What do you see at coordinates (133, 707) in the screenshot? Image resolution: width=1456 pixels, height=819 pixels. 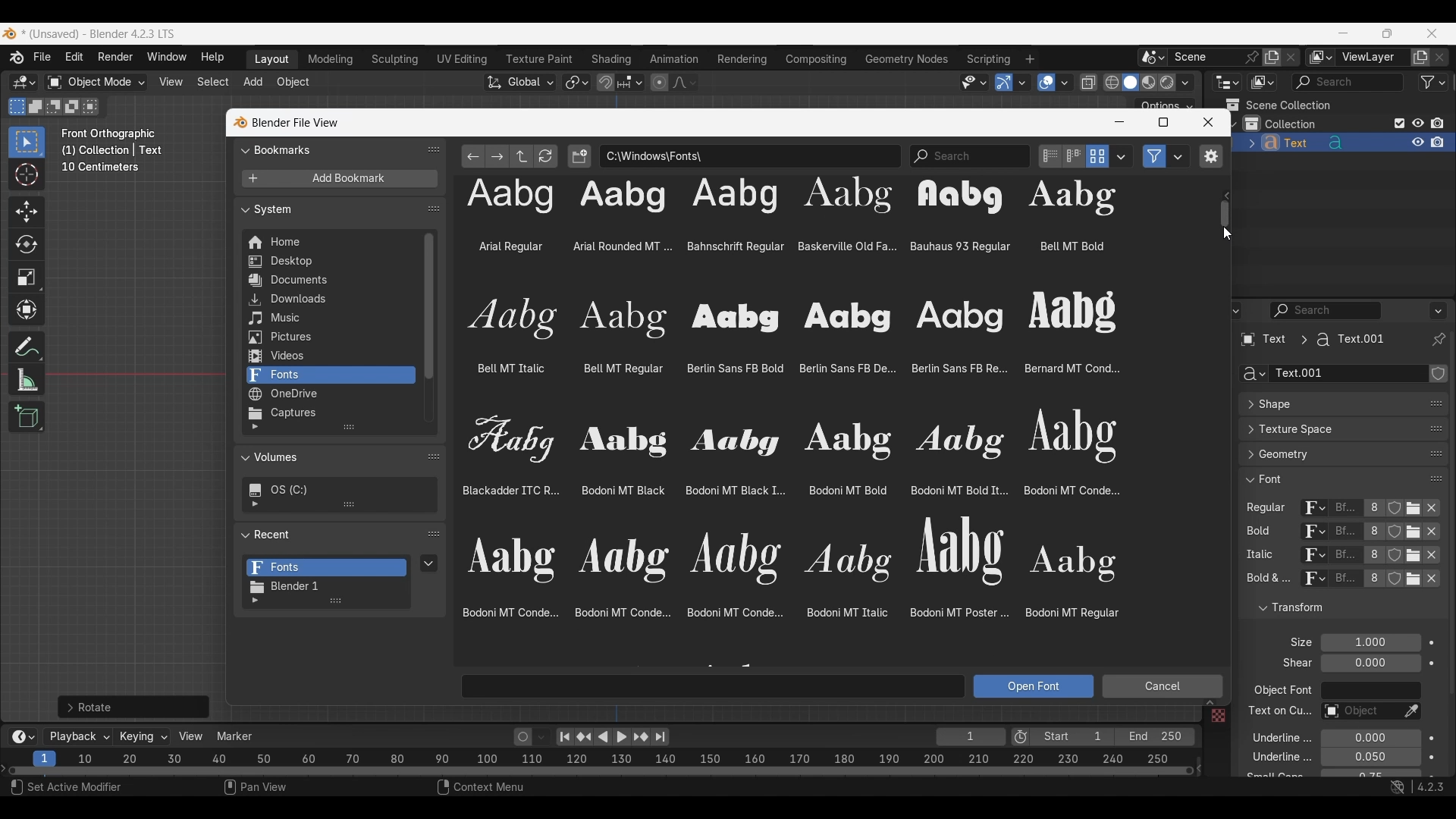 I see `For further rotation` at bounding box center [133, 707].